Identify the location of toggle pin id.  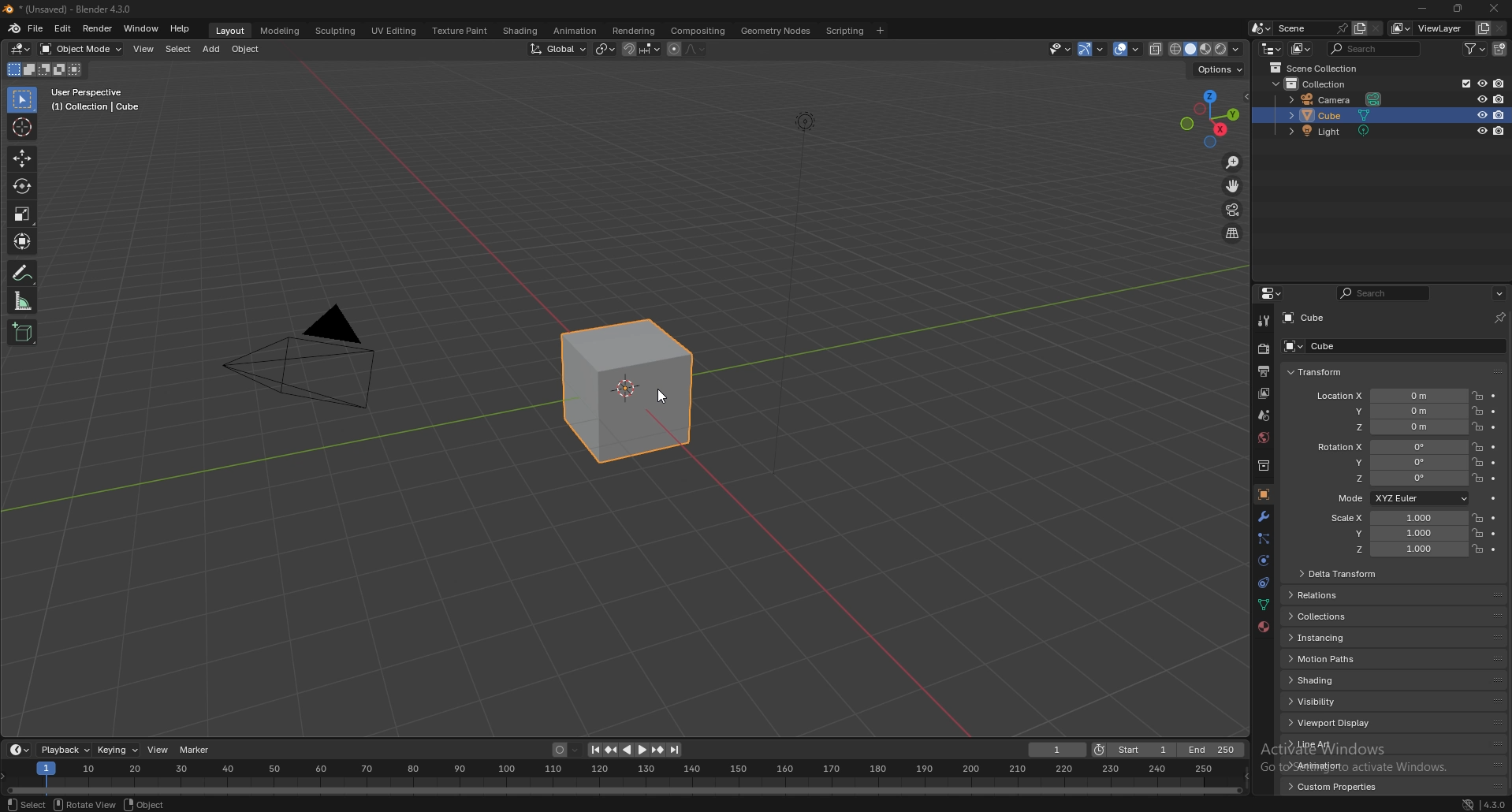
(1499, 317).